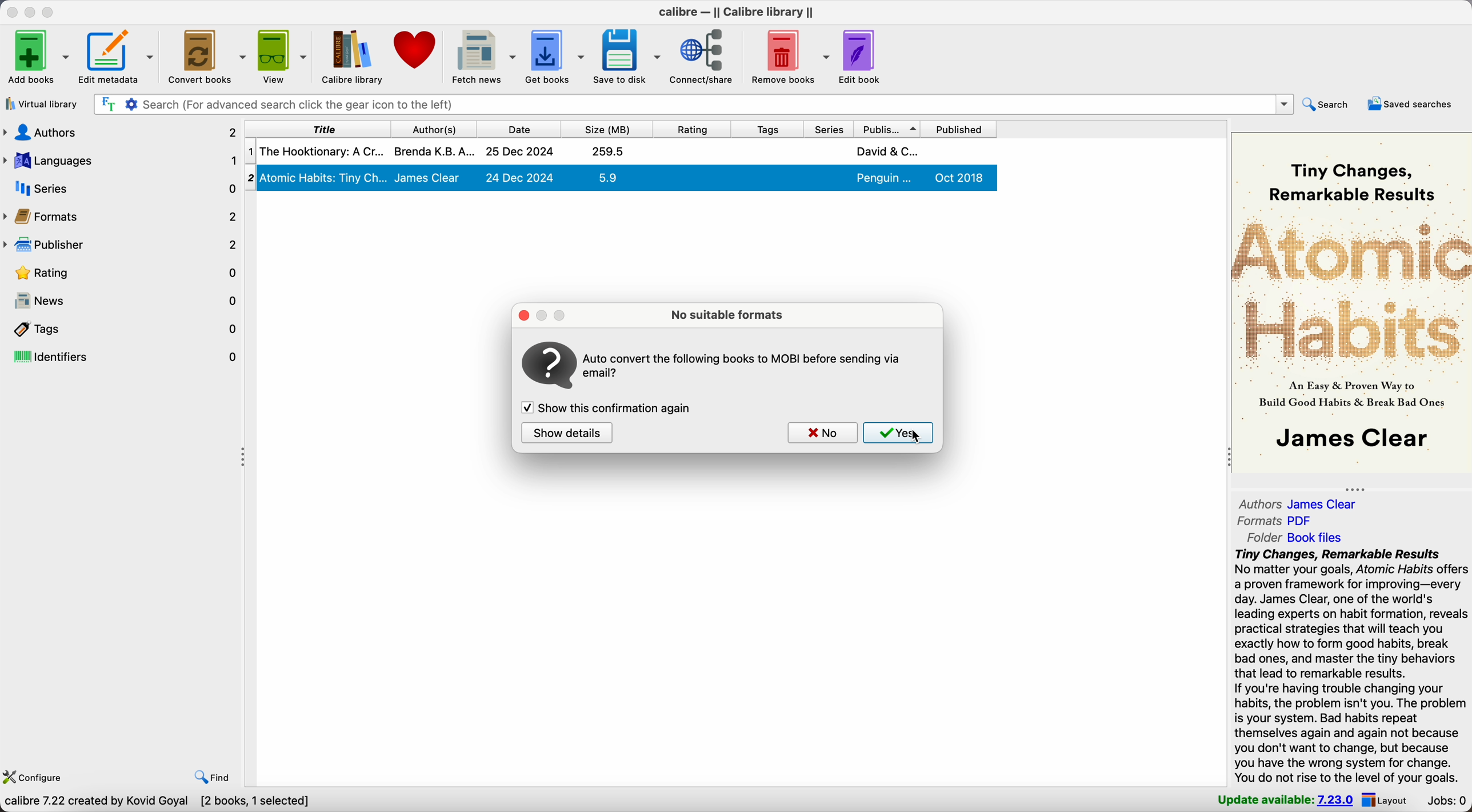 Image resolution: width=1472 pixels, height=812 pixels. I want to click on find, so click(211, 778).